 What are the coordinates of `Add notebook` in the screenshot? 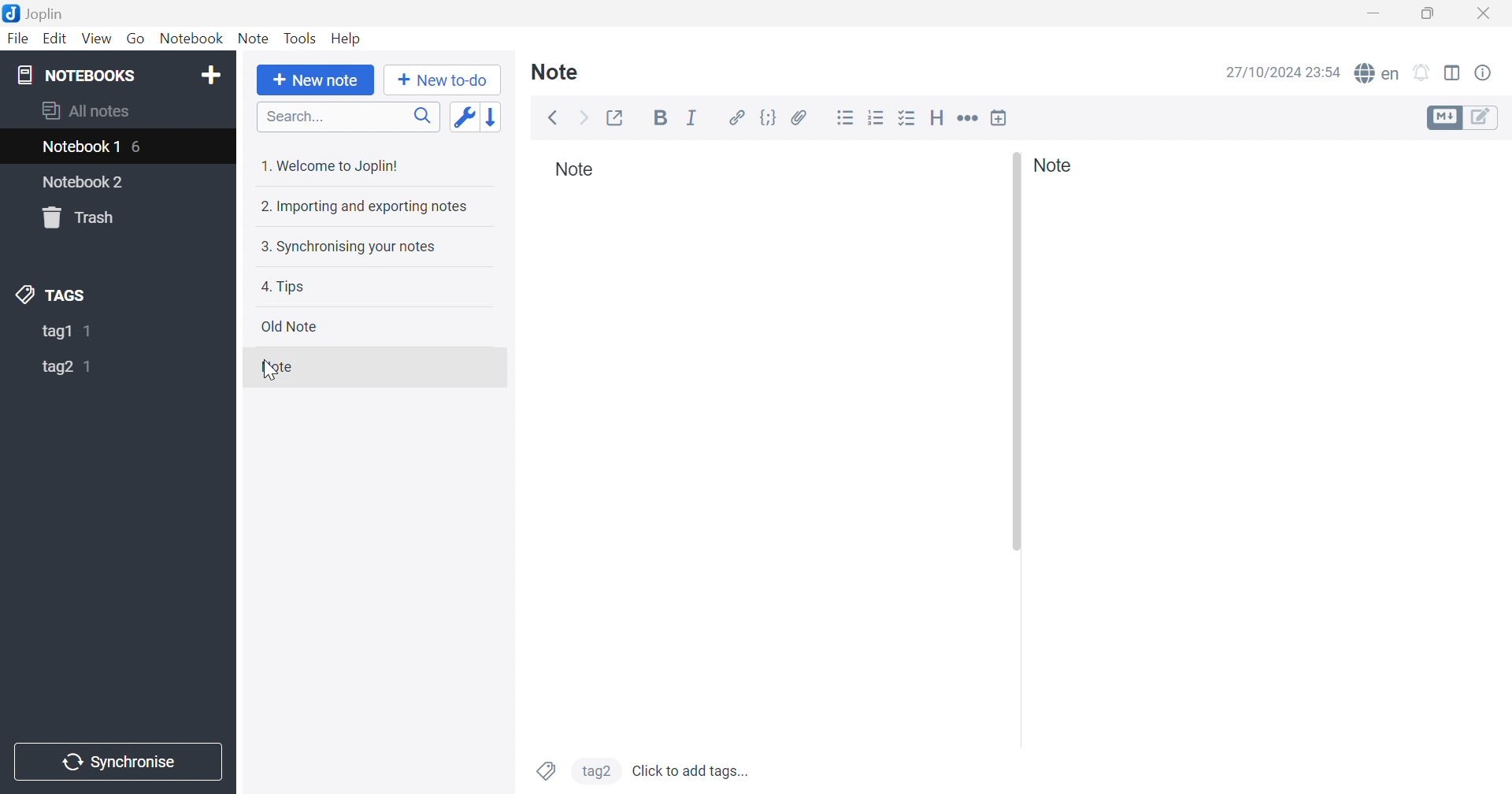 It's located at (212, 74).